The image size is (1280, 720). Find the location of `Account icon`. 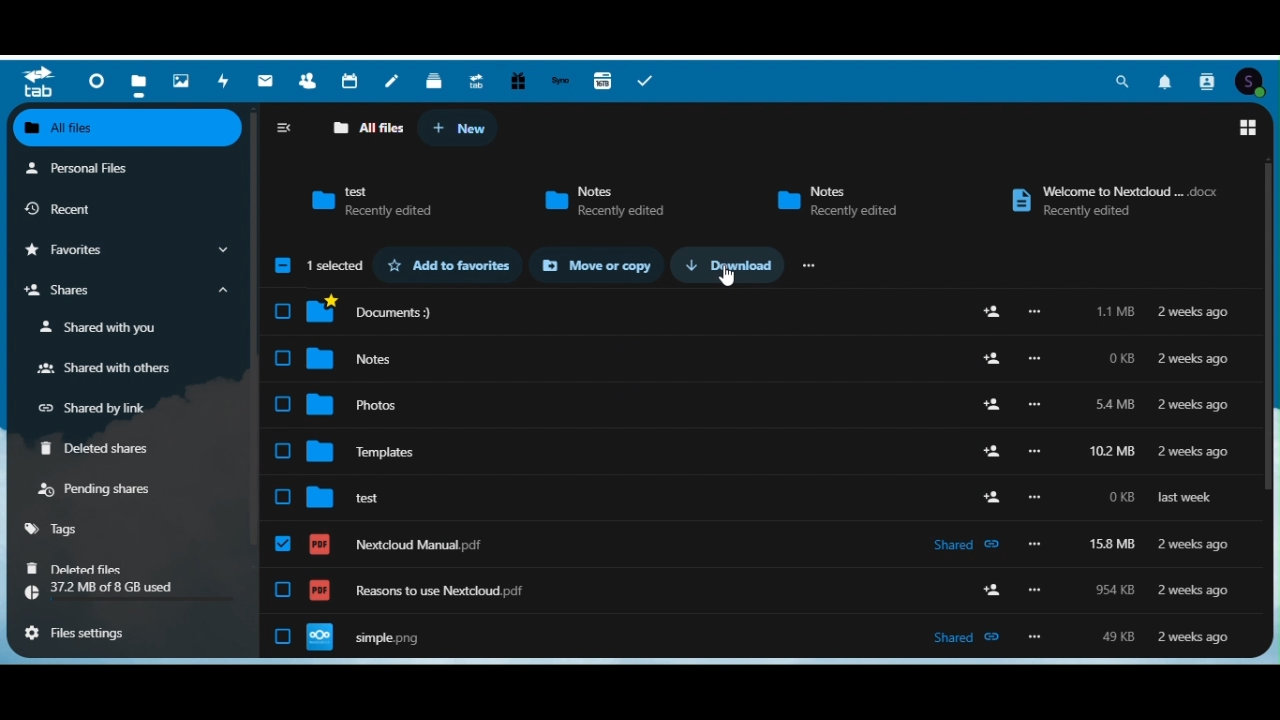

Account icon is located at coordinates (1255, 80).